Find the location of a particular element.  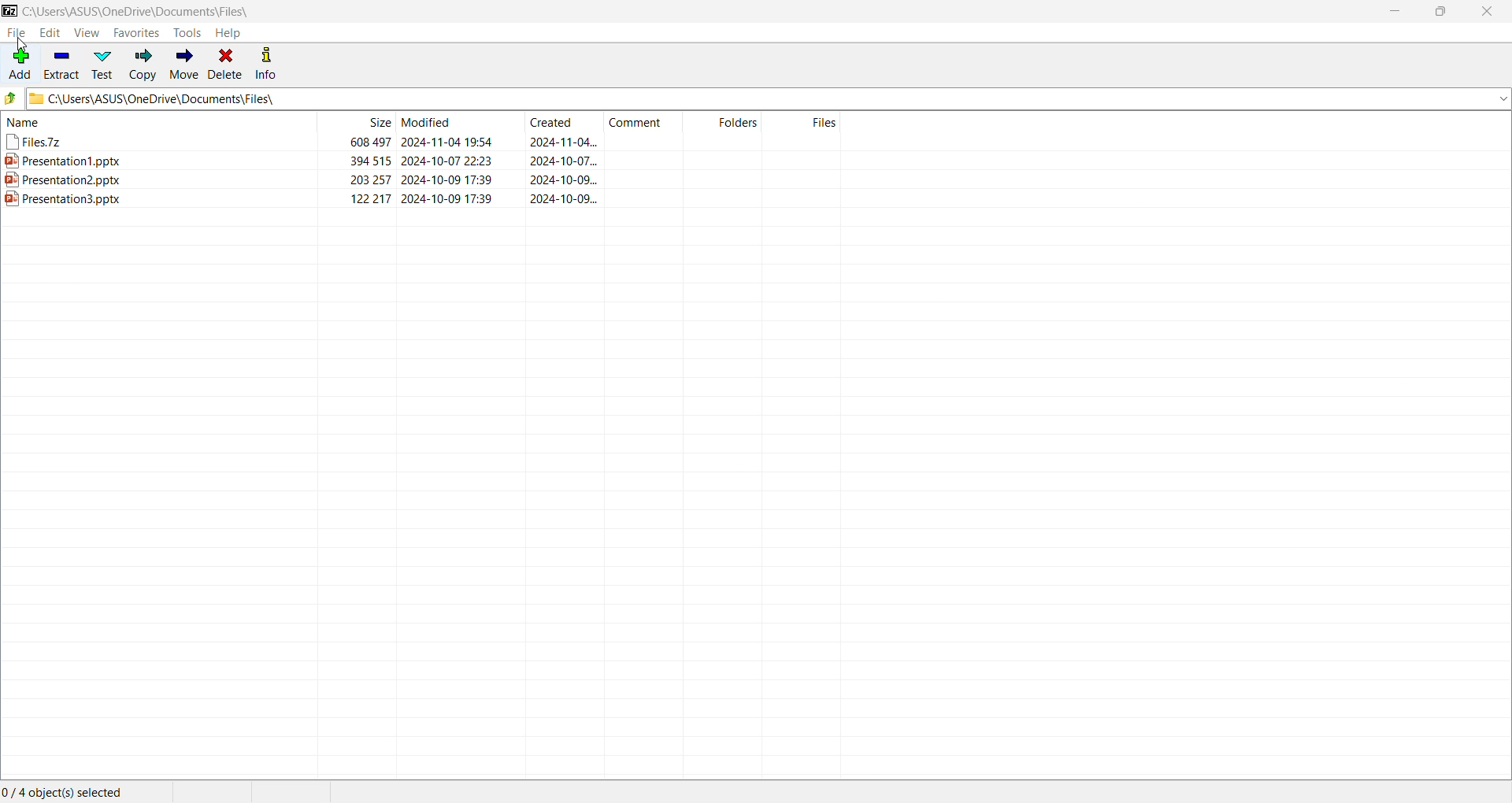

Add is located at coordinates (19, 65).